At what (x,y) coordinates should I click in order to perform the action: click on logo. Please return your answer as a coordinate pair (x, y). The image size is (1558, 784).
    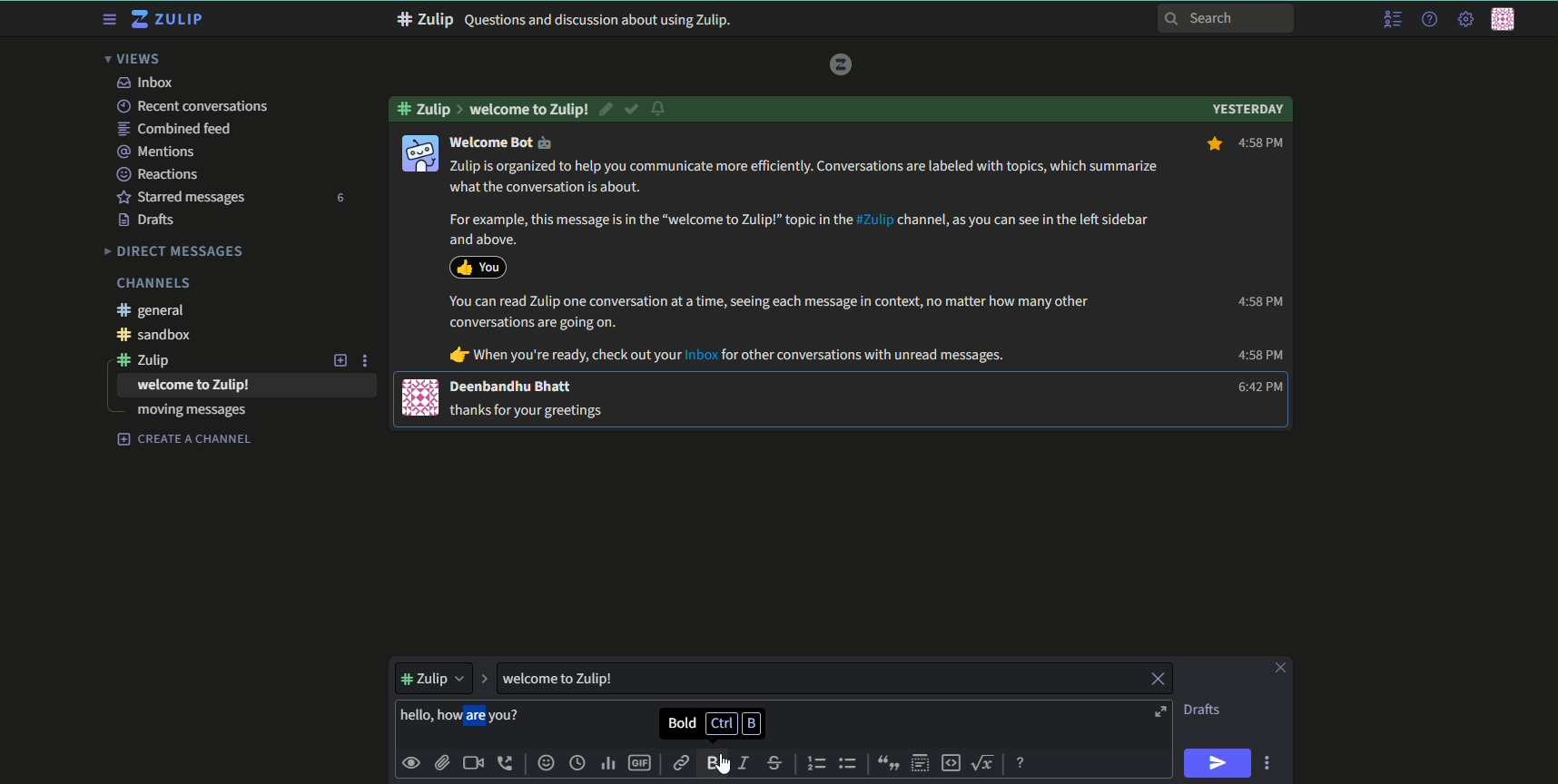
    Looking at the image, I should click on (842, 64).